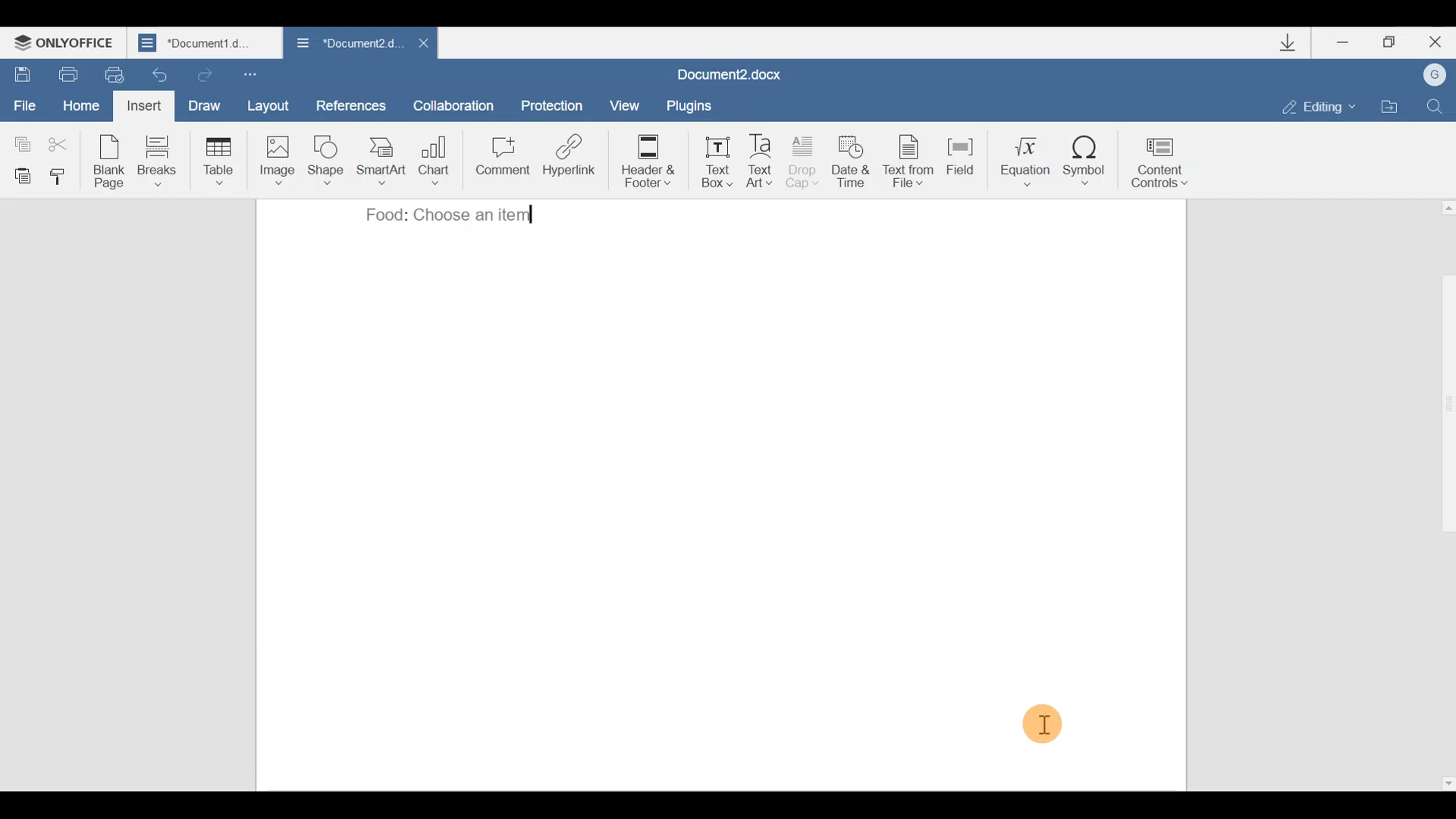  What do you see at coordinates (1442, 492) in the screenshot?
I see `Scroll bar` at bounding box center [1442, 492].